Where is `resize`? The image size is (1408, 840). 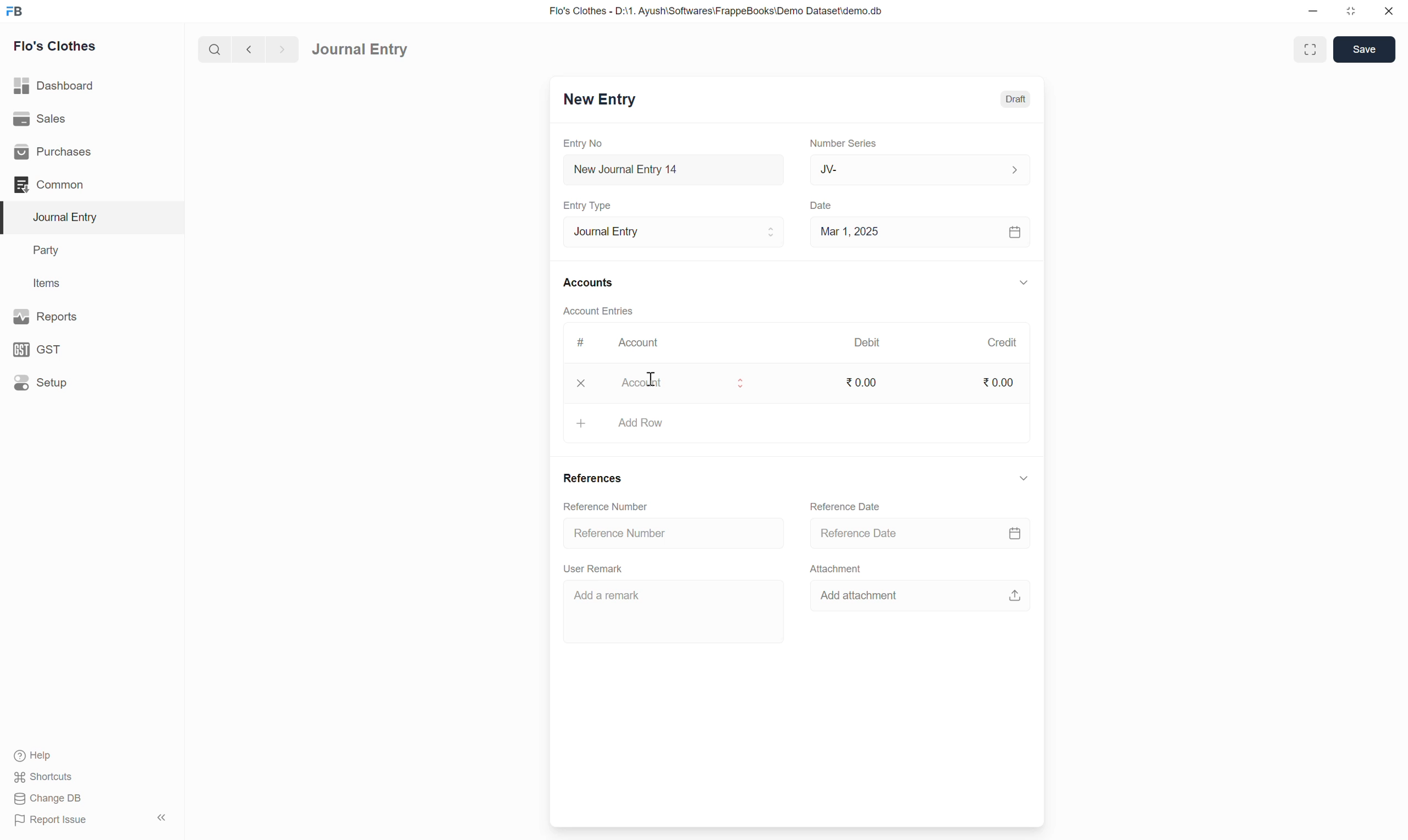
resize is located at coordinates (1349, 11).